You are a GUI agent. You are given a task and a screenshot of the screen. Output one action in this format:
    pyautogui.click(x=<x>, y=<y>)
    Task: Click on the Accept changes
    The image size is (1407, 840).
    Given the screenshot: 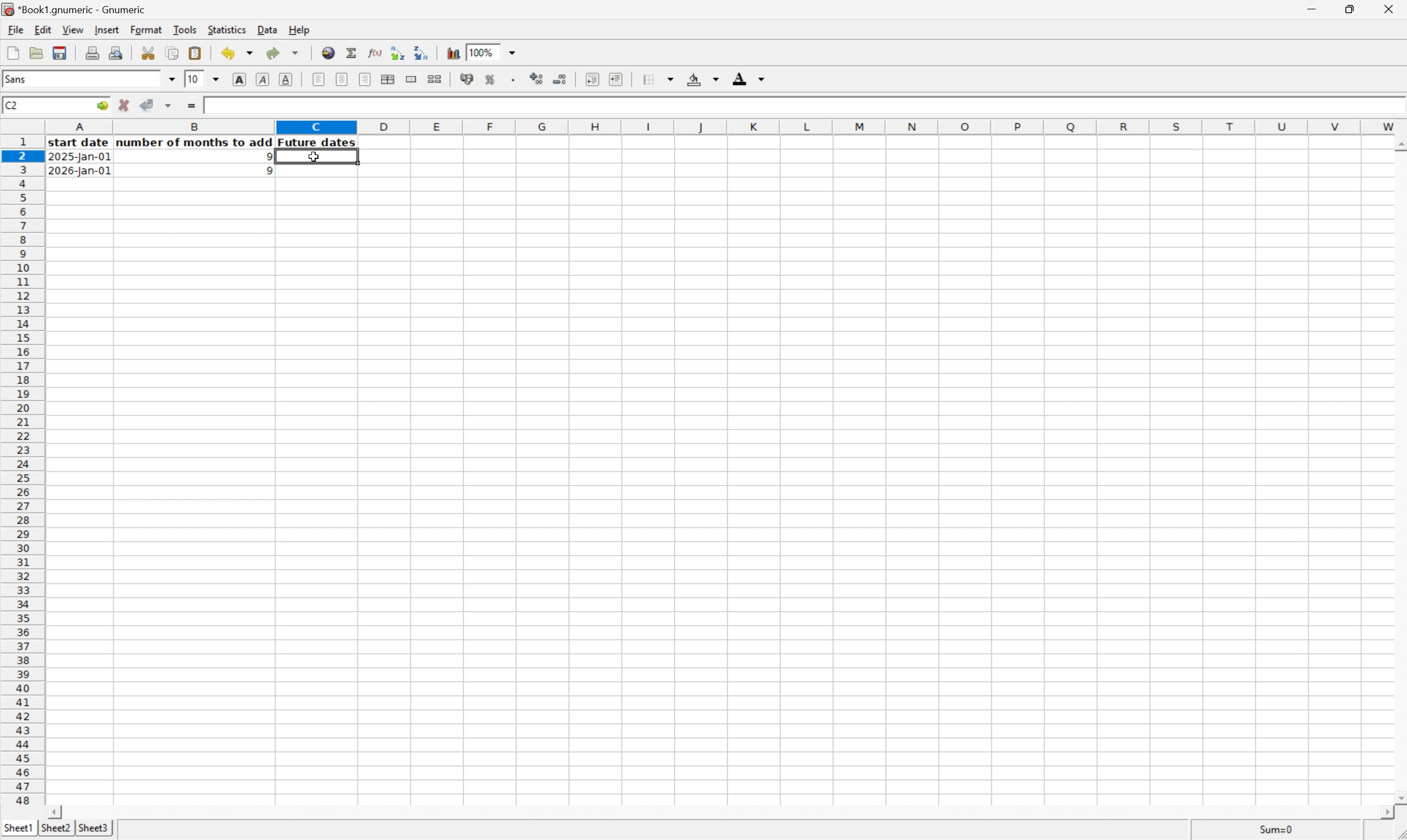 What is the action you would take?
    pyautogui.click(x=148, y=105)
    